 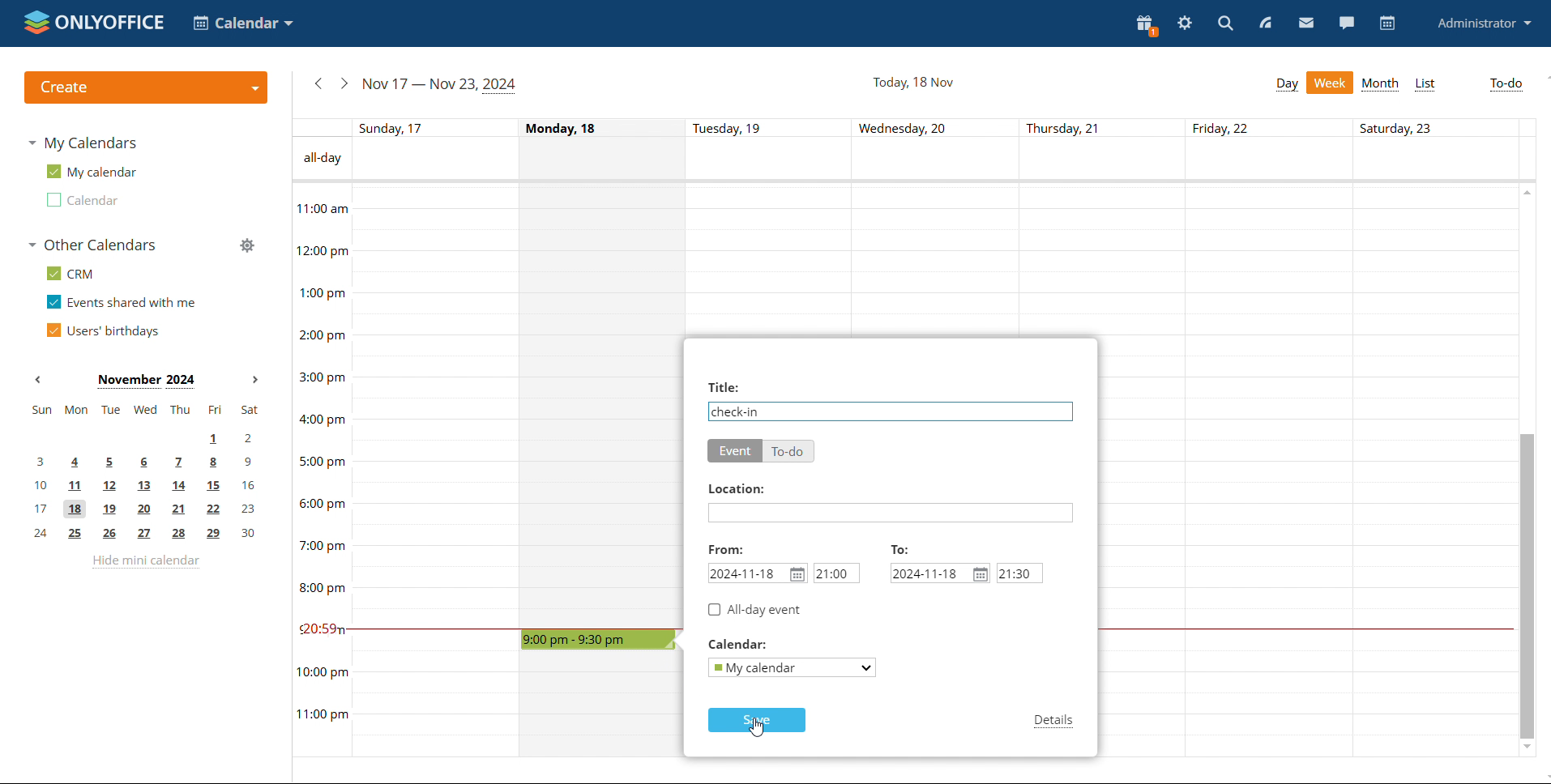 I want to click on All-day, so click(x=321, y=159).